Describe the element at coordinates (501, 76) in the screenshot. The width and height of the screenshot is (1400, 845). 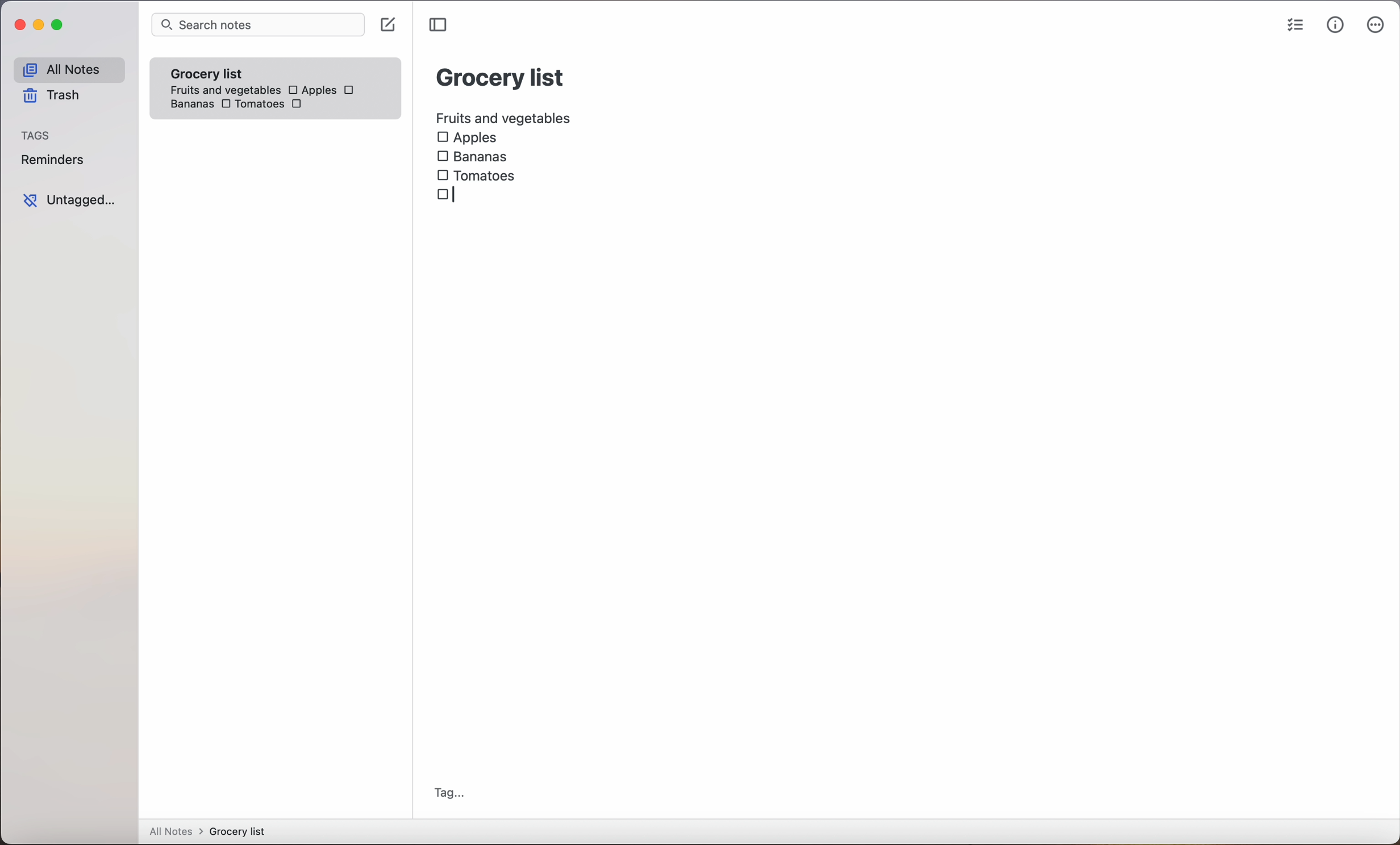
I see `grocery list` at that location.